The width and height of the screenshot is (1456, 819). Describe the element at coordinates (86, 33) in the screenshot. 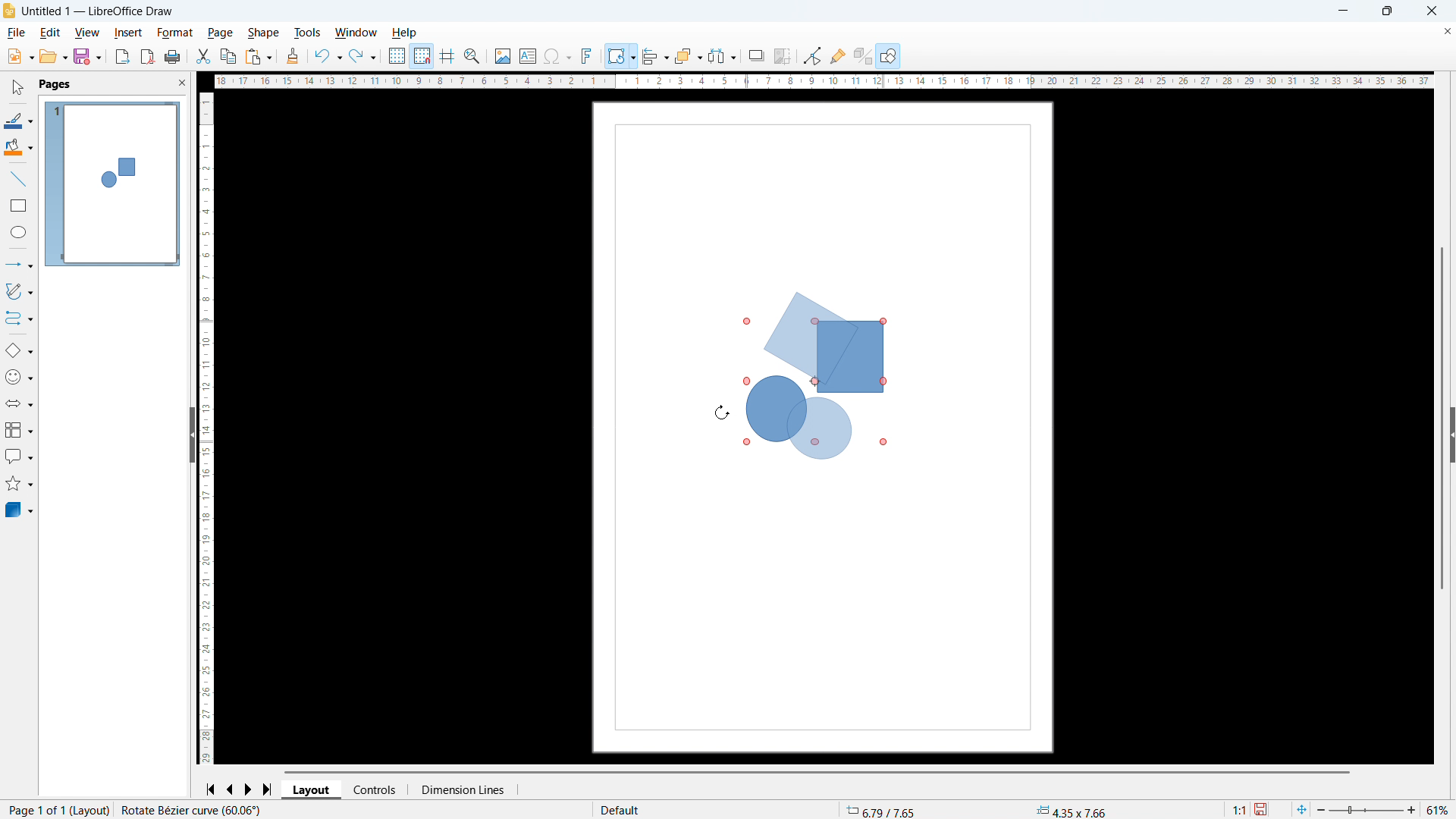

I see `View ` at that location.